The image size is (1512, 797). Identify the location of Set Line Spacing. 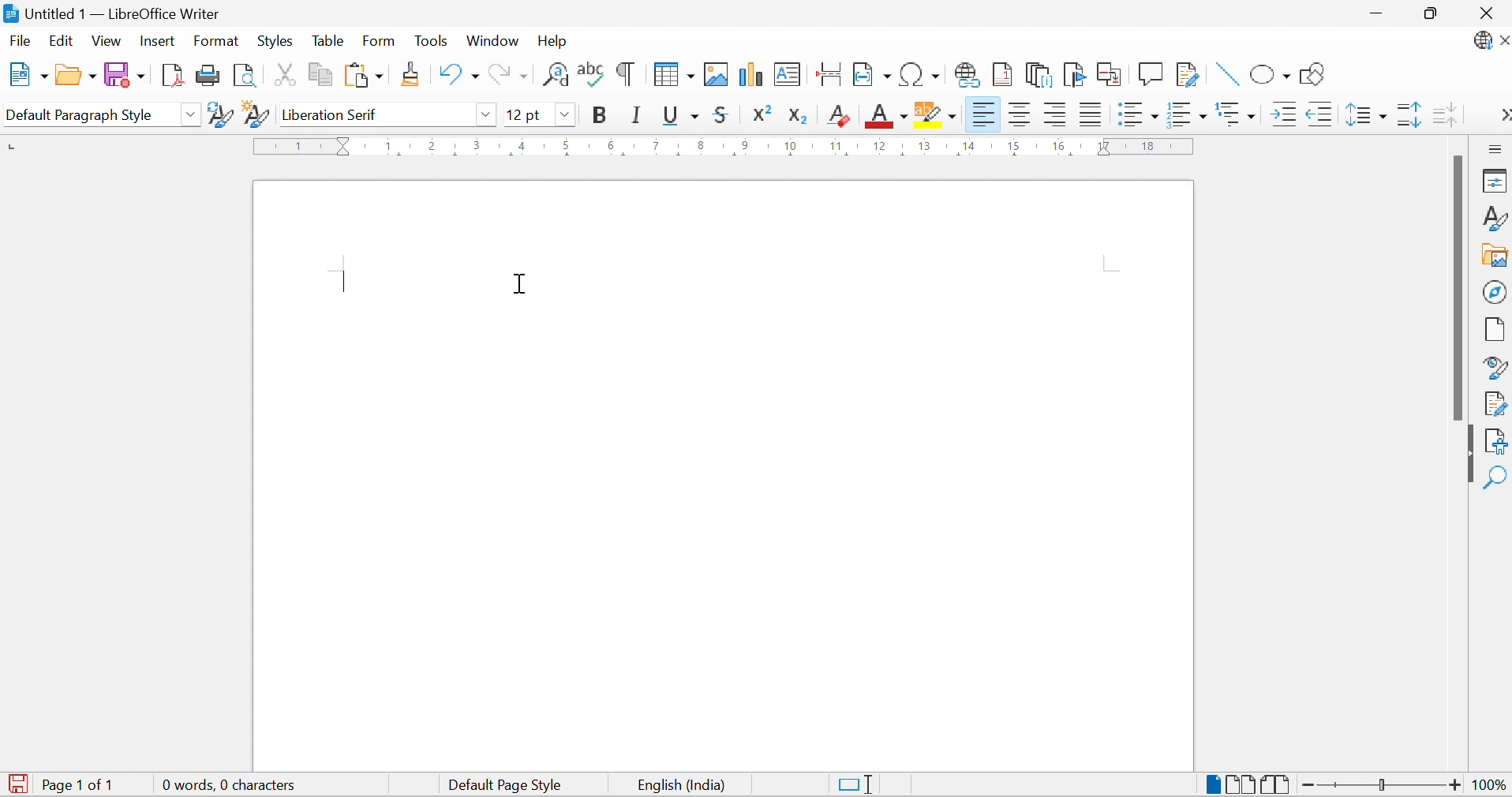
(1365, 115).